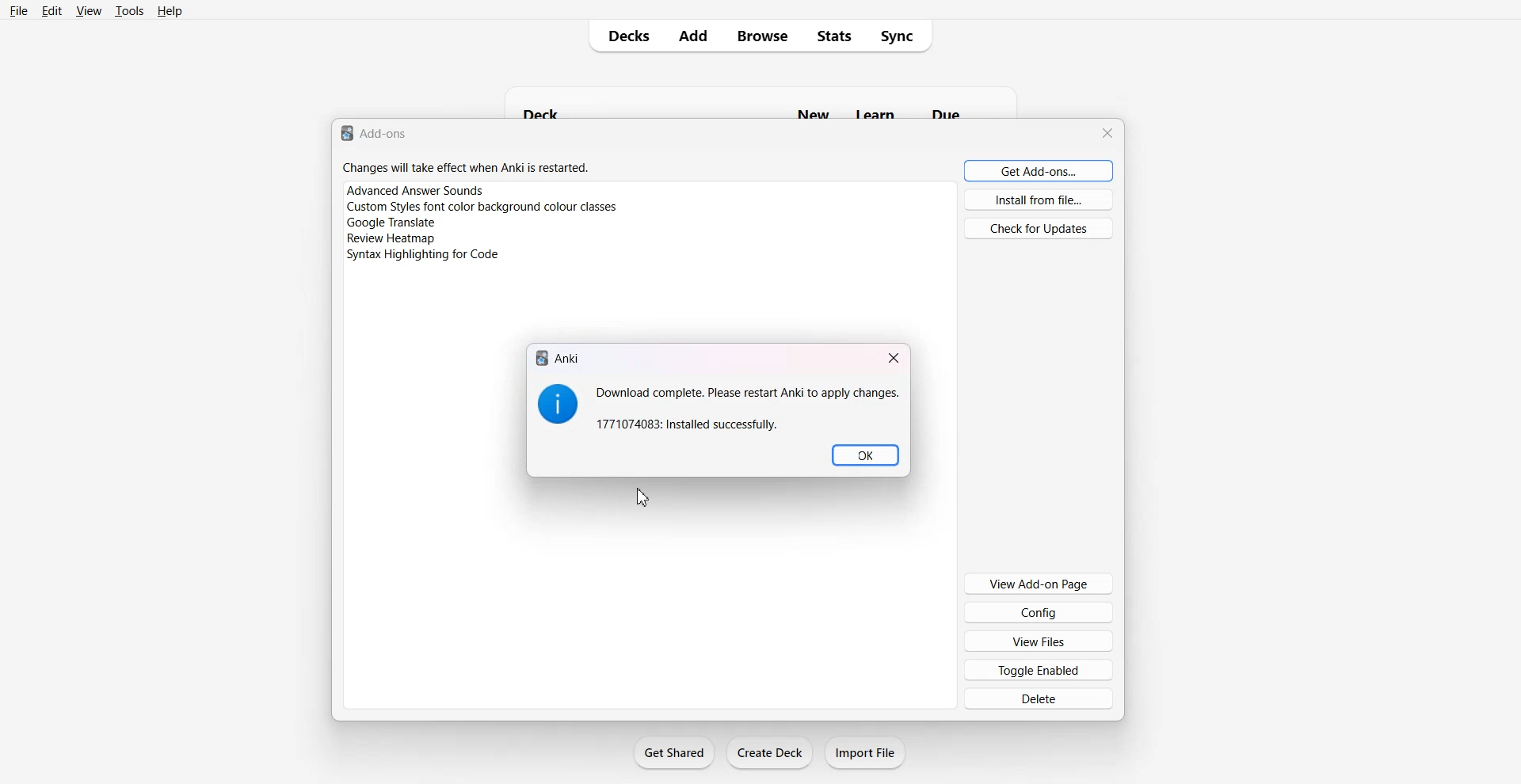  Describe the element at coordinates (1039, 170) in the screenshot. I see `Get Add-ons` at that location.